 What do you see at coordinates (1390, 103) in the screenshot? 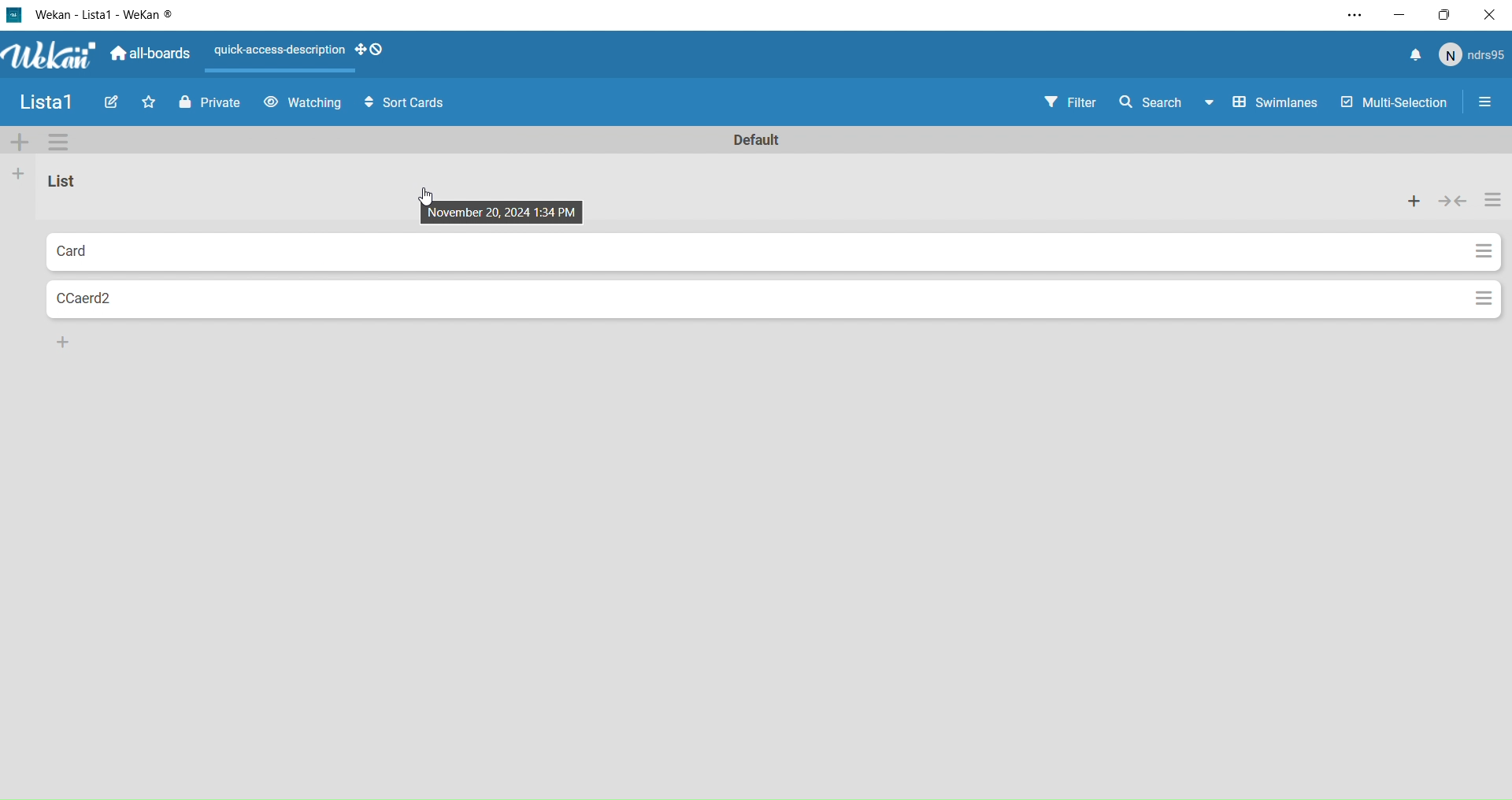
I see `Multi-Selection` at bounding box center [1390, 103].